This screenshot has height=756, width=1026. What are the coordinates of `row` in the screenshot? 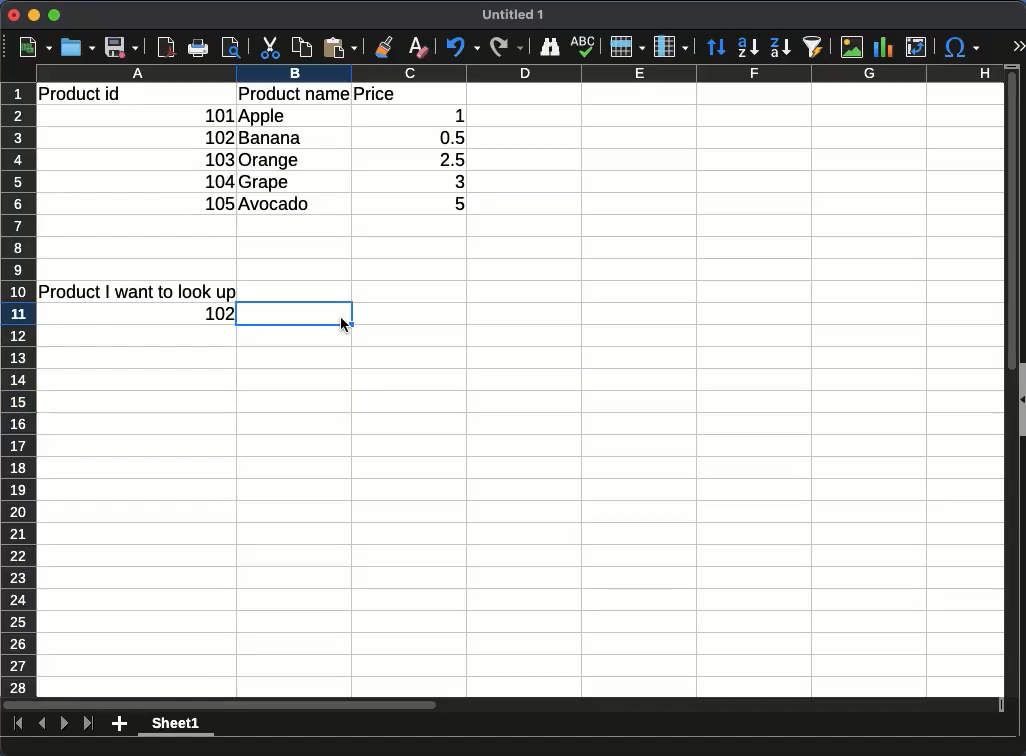 It's located at (18, 390).